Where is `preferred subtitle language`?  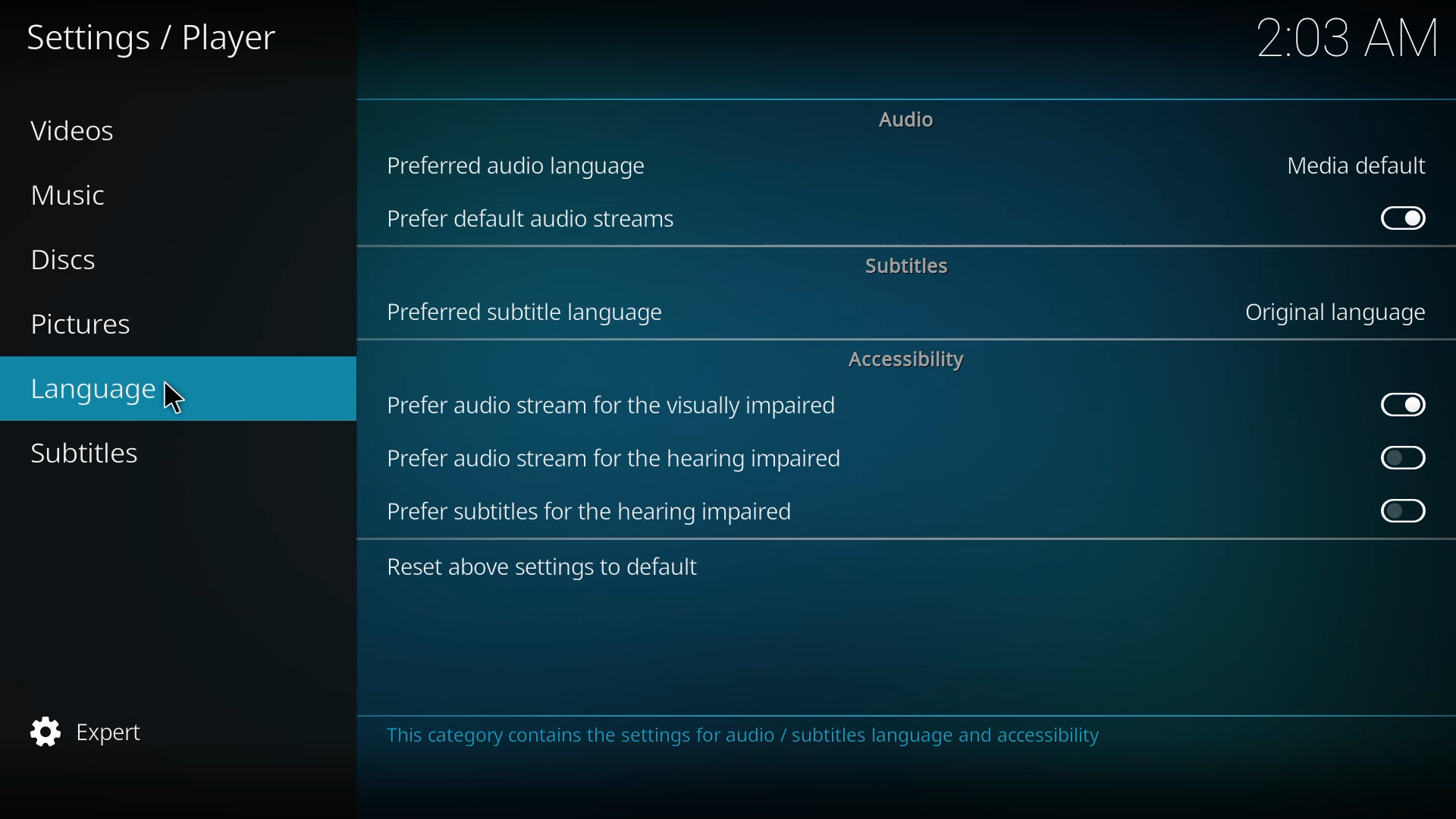
preferred subtitle language is located at coordinates (532, 311).